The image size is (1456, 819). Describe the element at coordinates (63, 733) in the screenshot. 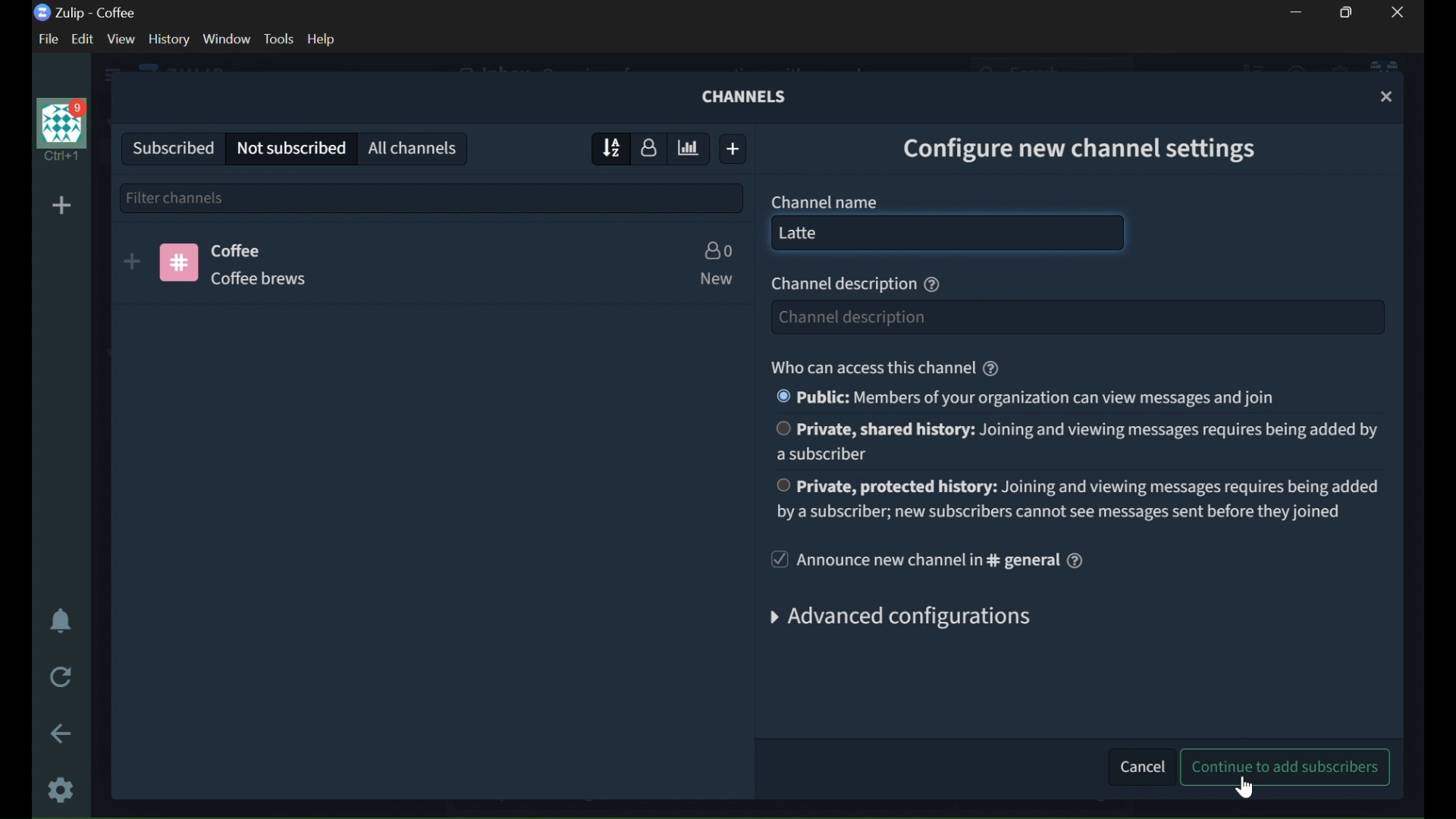

I see `GO BACK` at that location.